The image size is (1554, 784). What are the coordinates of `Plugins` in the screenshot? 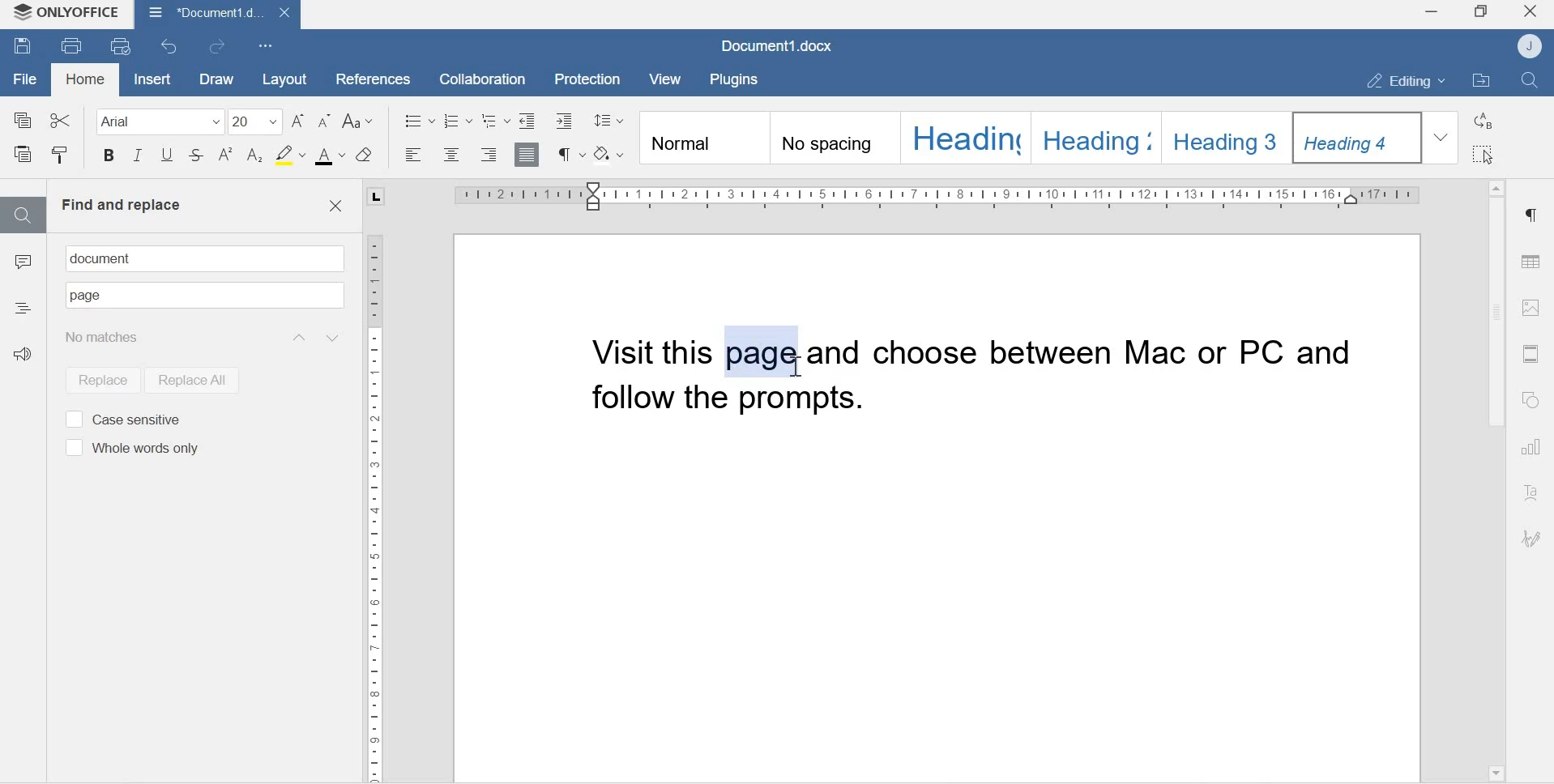 It's located at (738, 78).